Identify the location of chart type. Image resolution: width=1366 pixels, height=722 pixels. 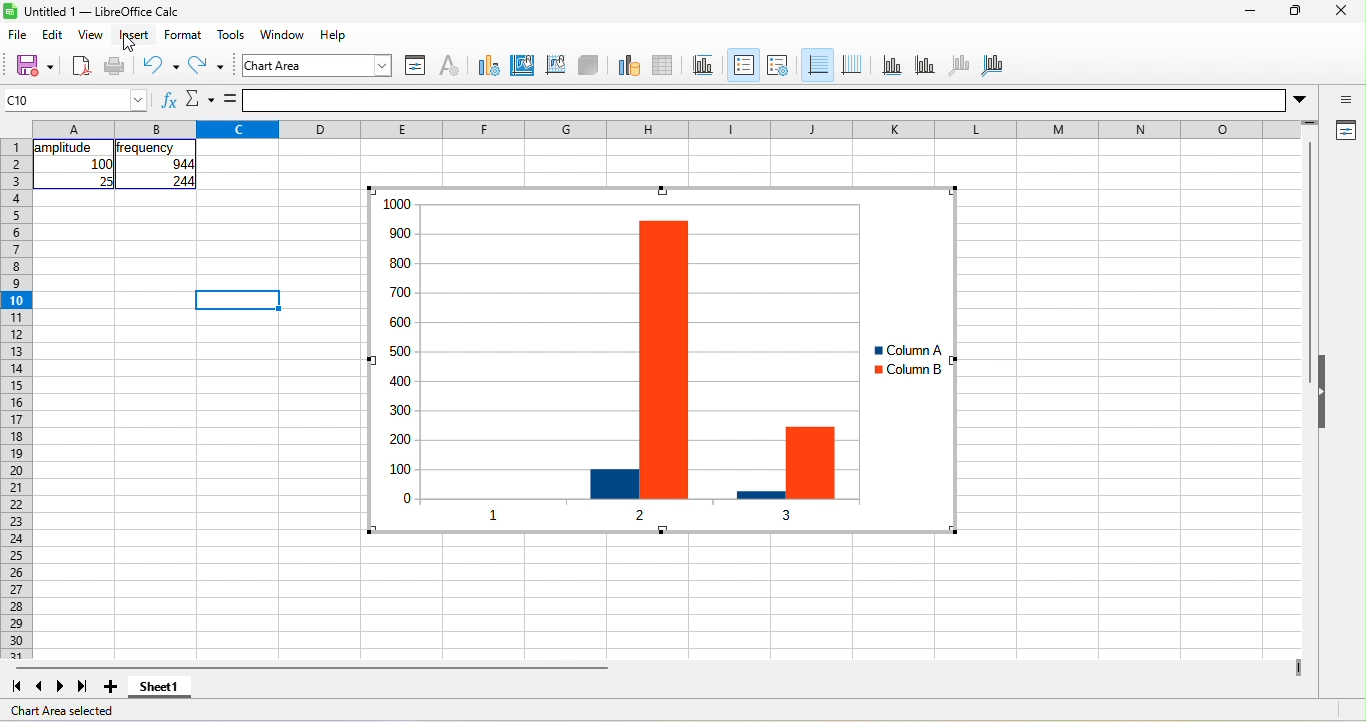
(485, 64).